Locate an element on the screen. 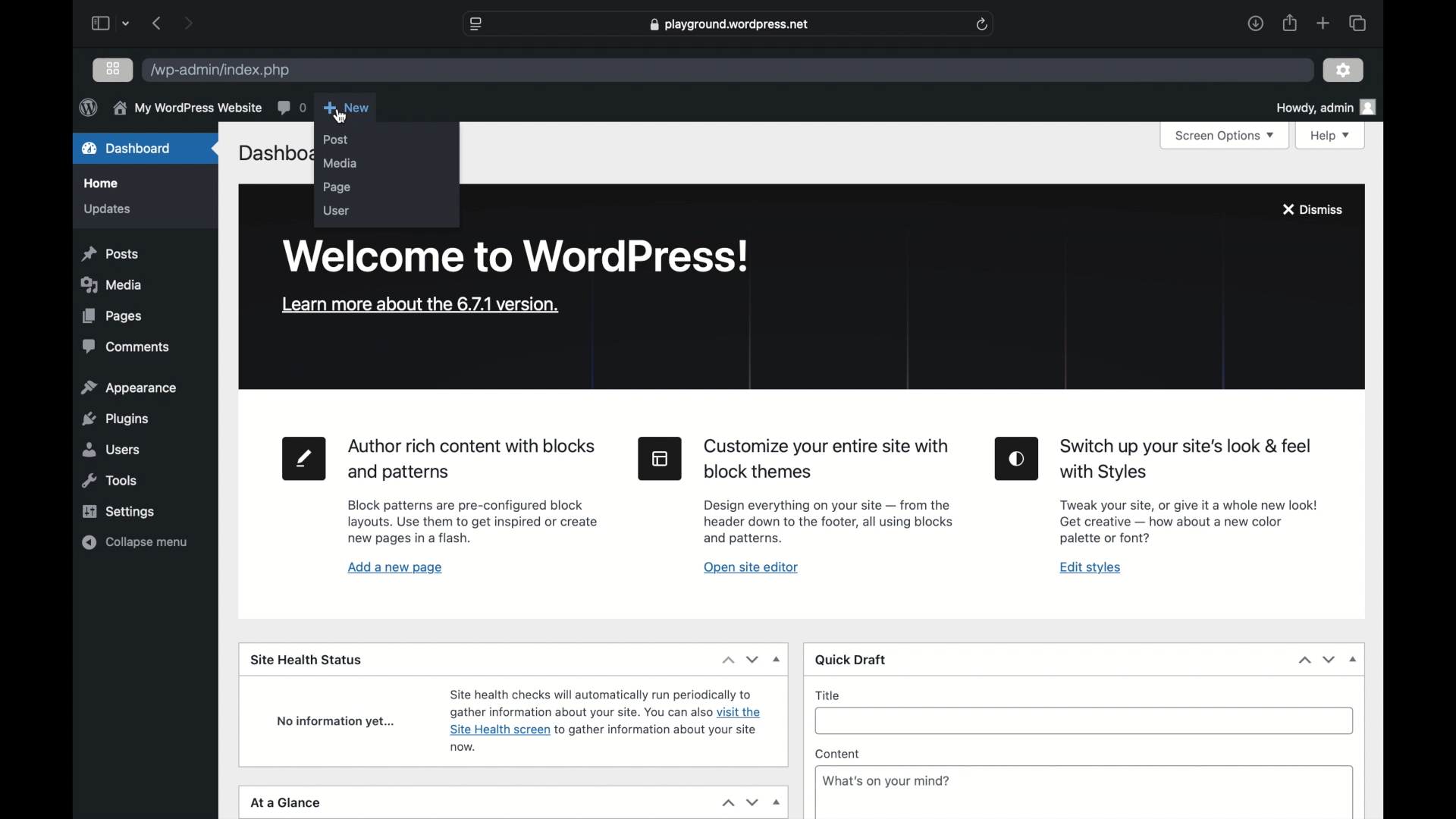  web address is located at coordinates (728, 25).